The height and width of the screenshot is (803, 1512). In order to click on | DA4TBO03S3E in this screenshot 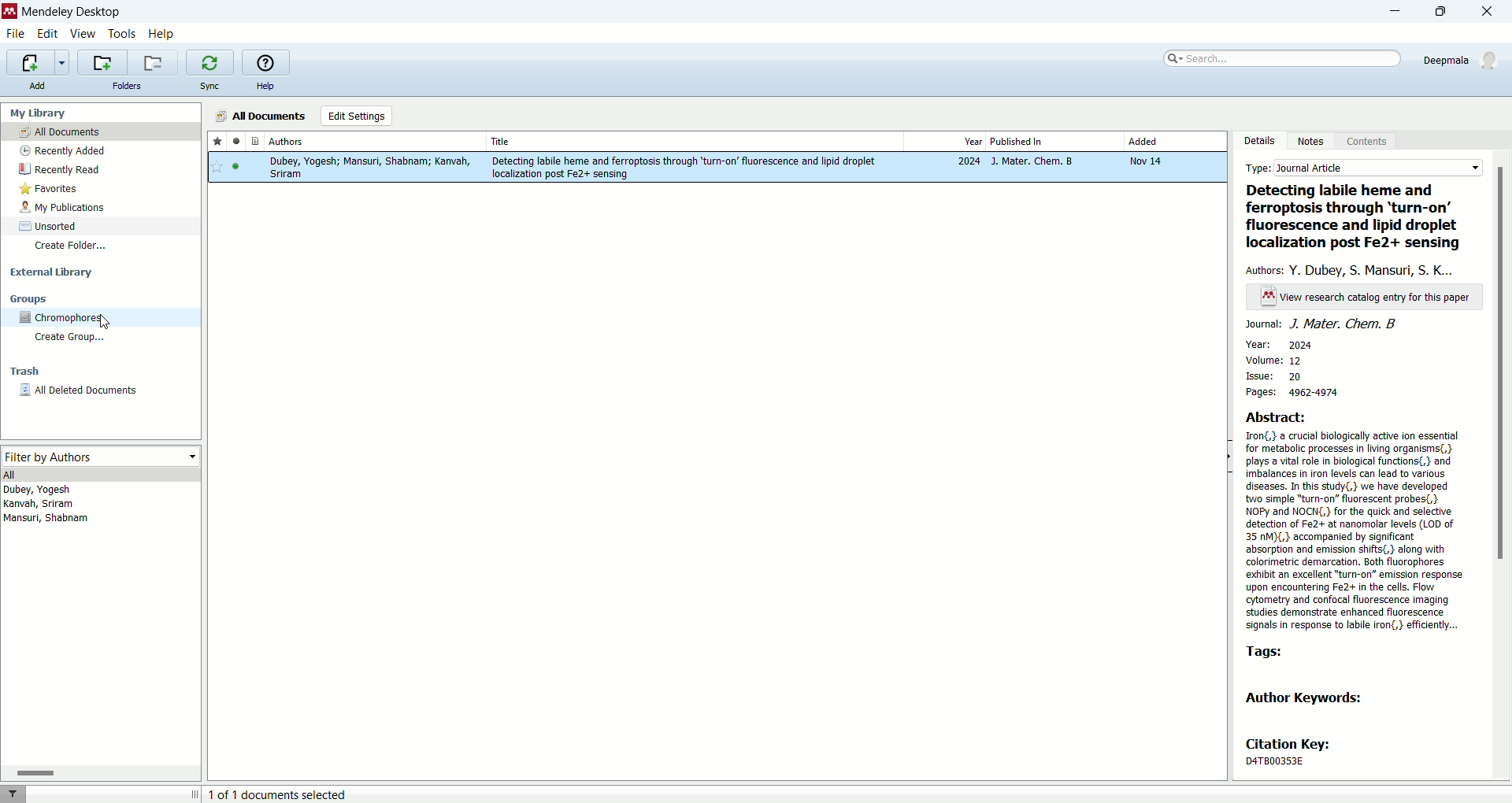, I will do `click(1289, 760)`.